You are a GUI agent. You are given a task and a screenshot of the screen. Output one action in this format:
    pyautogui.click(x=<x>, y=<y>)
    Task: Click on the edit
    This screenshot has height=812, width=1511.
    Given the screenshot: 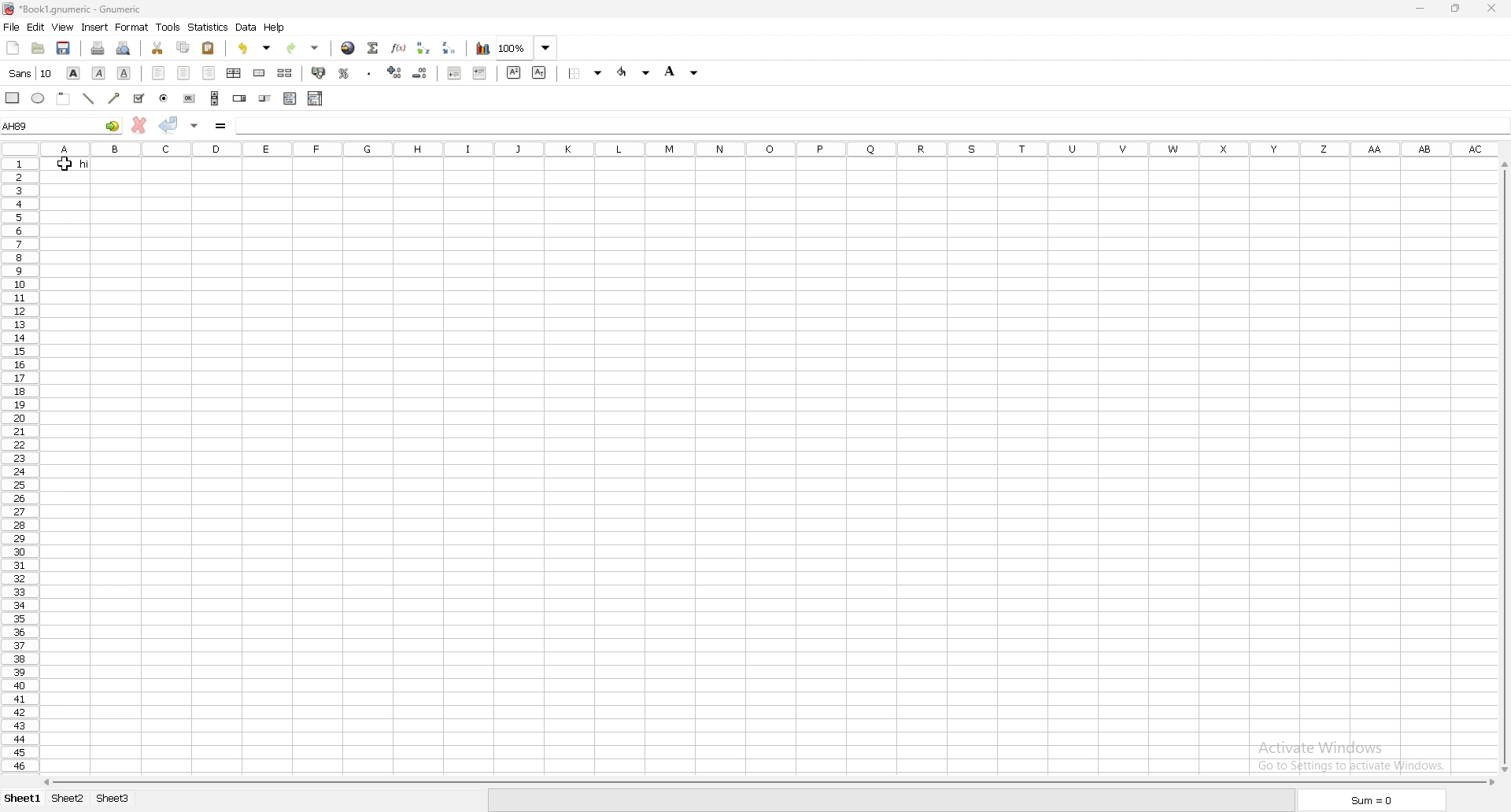 What is the action you would take?
    pyautogui.click(x=35, y=27)
    